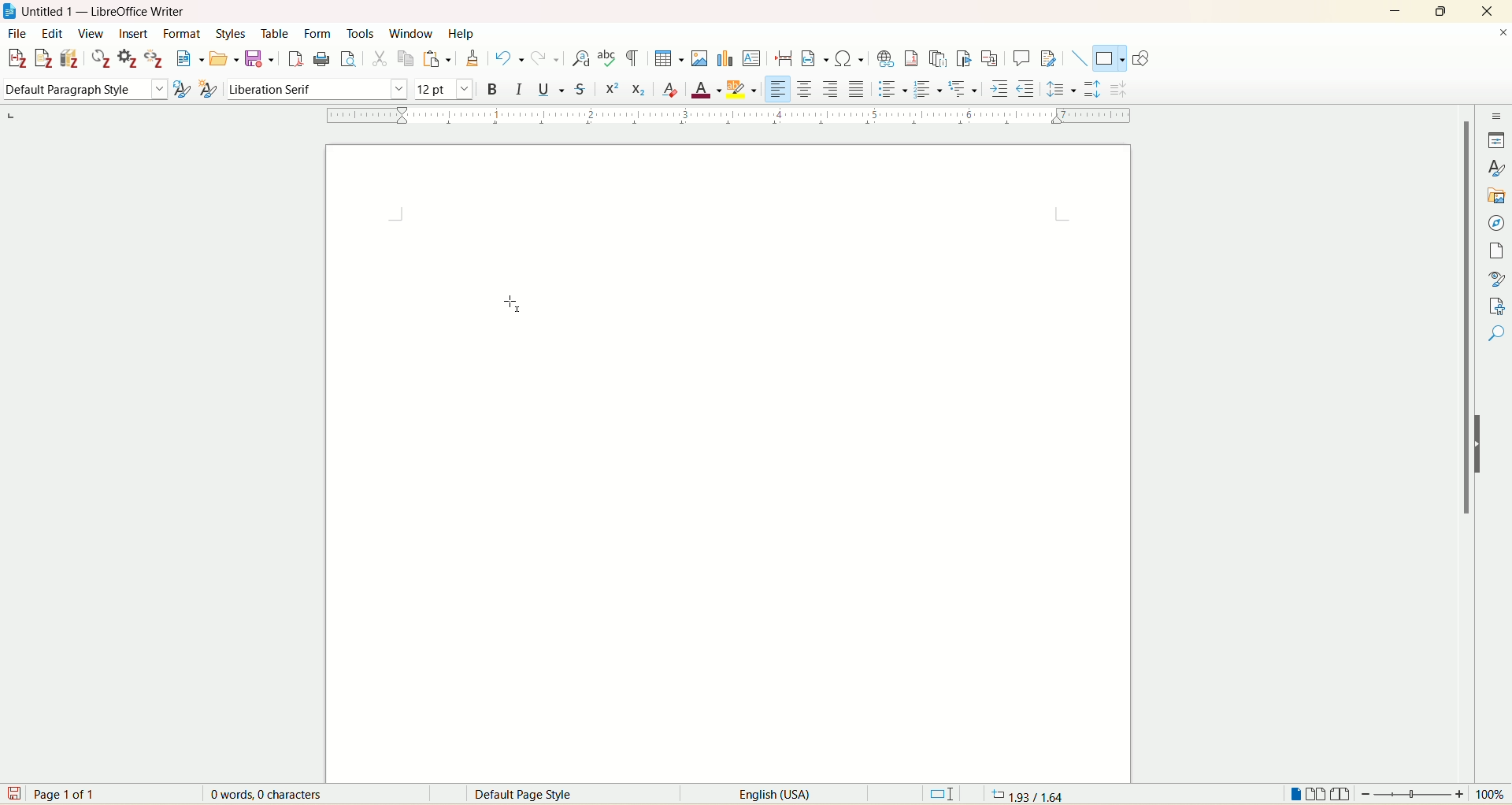 Image resolution: width=1512 pixels, height=805 pixels. Describe the element at coordinates (1497, 333) in the screenshot. I see `accessibility check` at that location.